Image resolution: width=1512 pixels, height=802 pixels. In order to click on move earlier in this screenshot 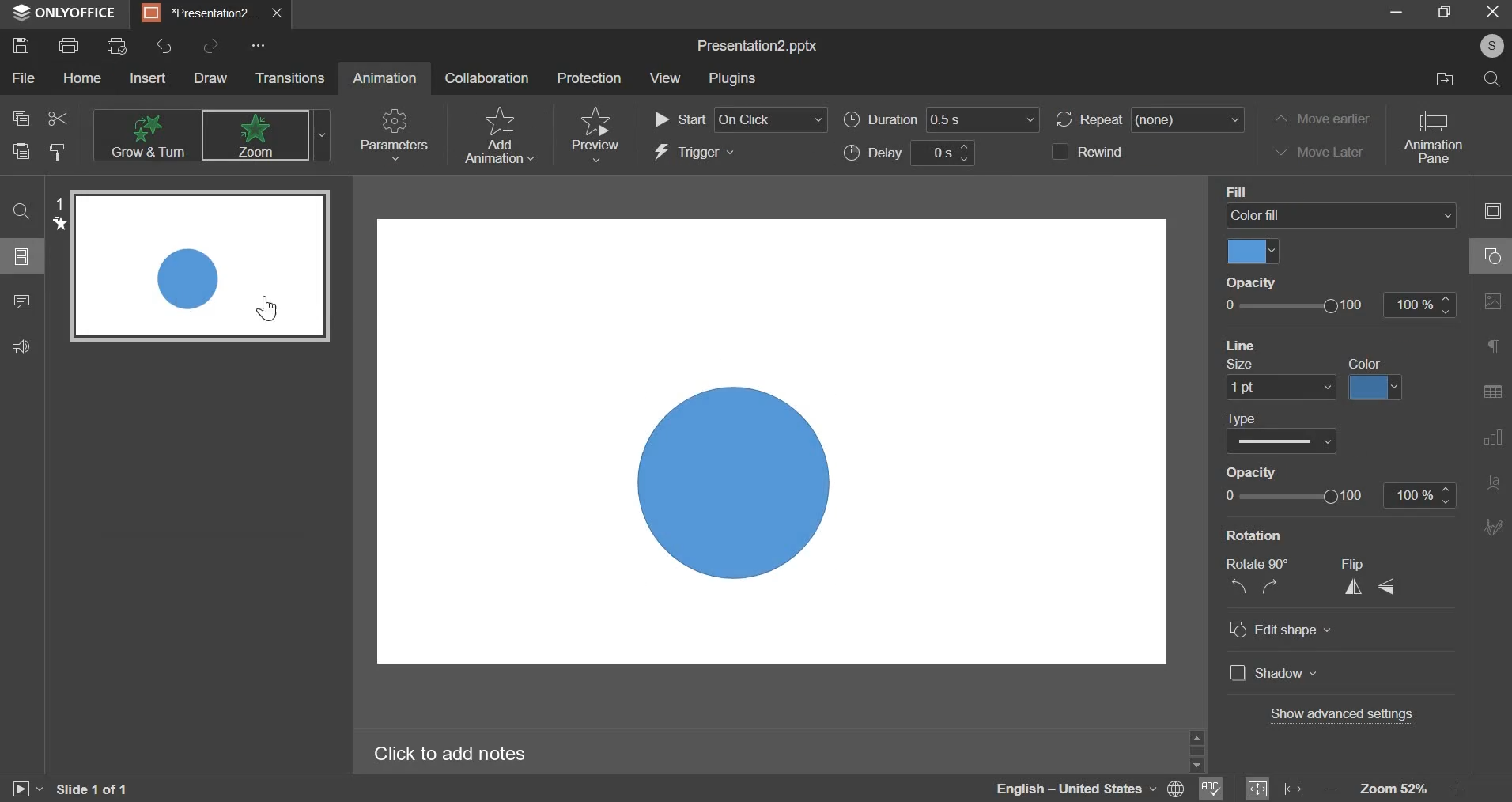, I will do `click(1324, 118)`.